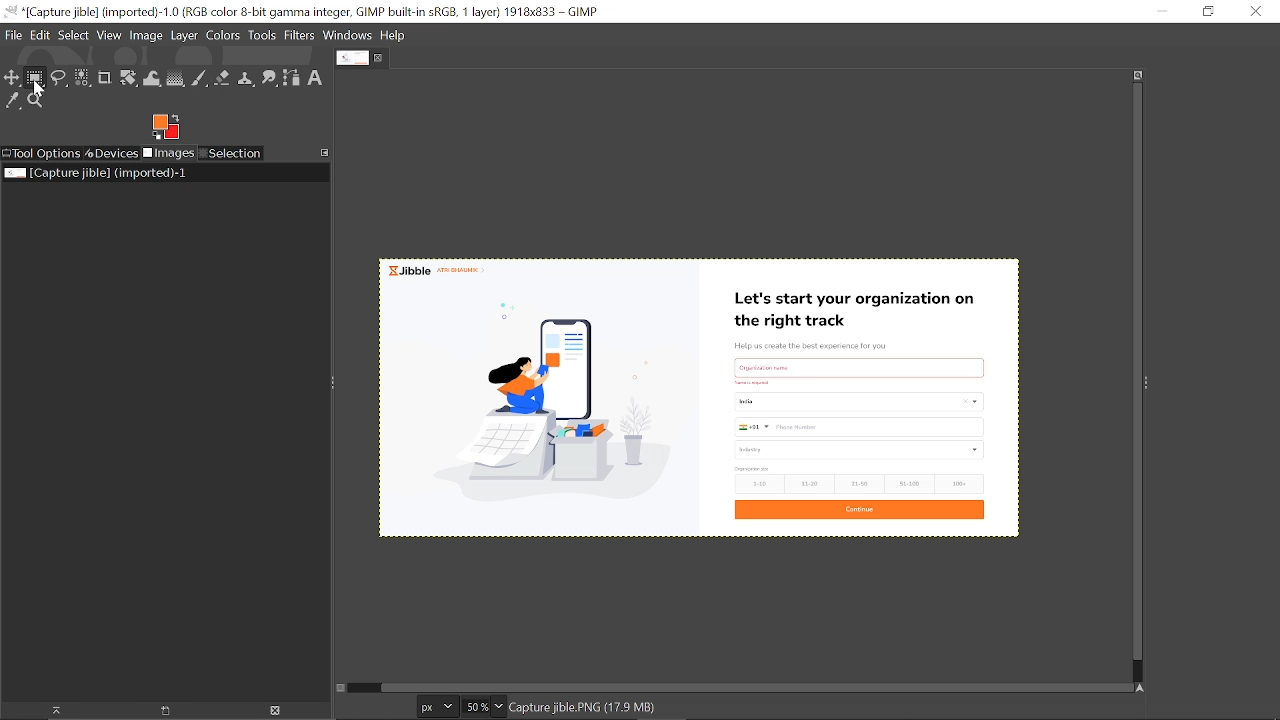  Describe the element at coordinates (959, 484) in the screenshot. I see `100+` at that location.